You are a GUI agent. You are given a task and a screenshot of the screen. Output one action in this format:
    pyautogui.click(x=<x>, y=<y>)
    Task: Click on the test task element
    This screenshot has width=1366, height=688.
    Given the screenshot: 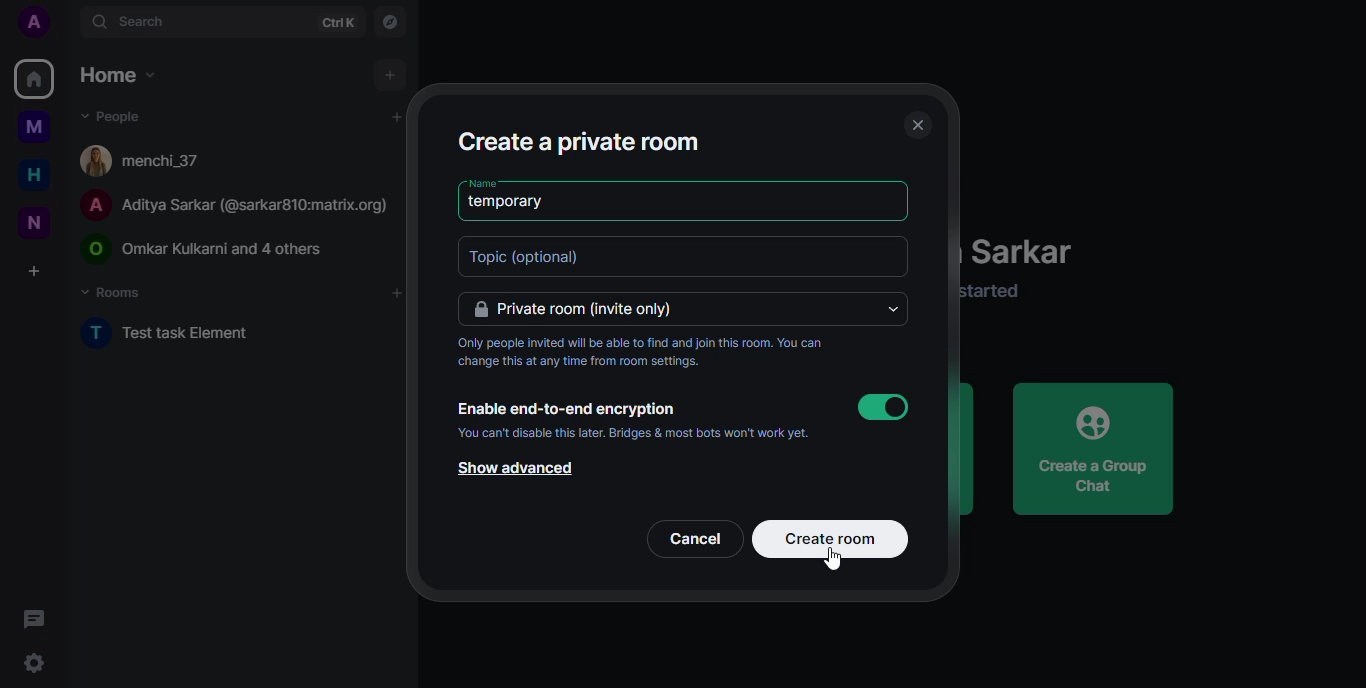 What is the action you would take?
    pyautogui.click(x=183, y=336)
    